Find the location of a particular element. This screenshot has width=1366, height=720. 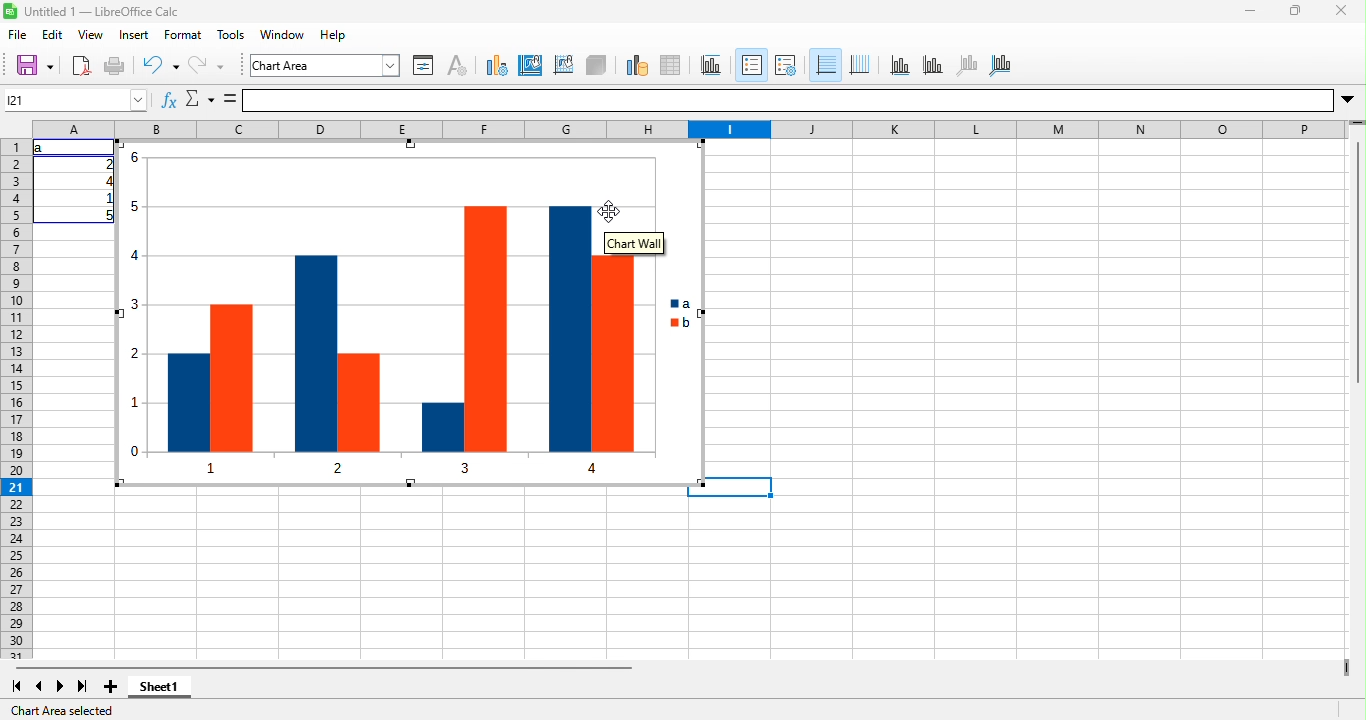

column headings is located at coordinates (691, 129).